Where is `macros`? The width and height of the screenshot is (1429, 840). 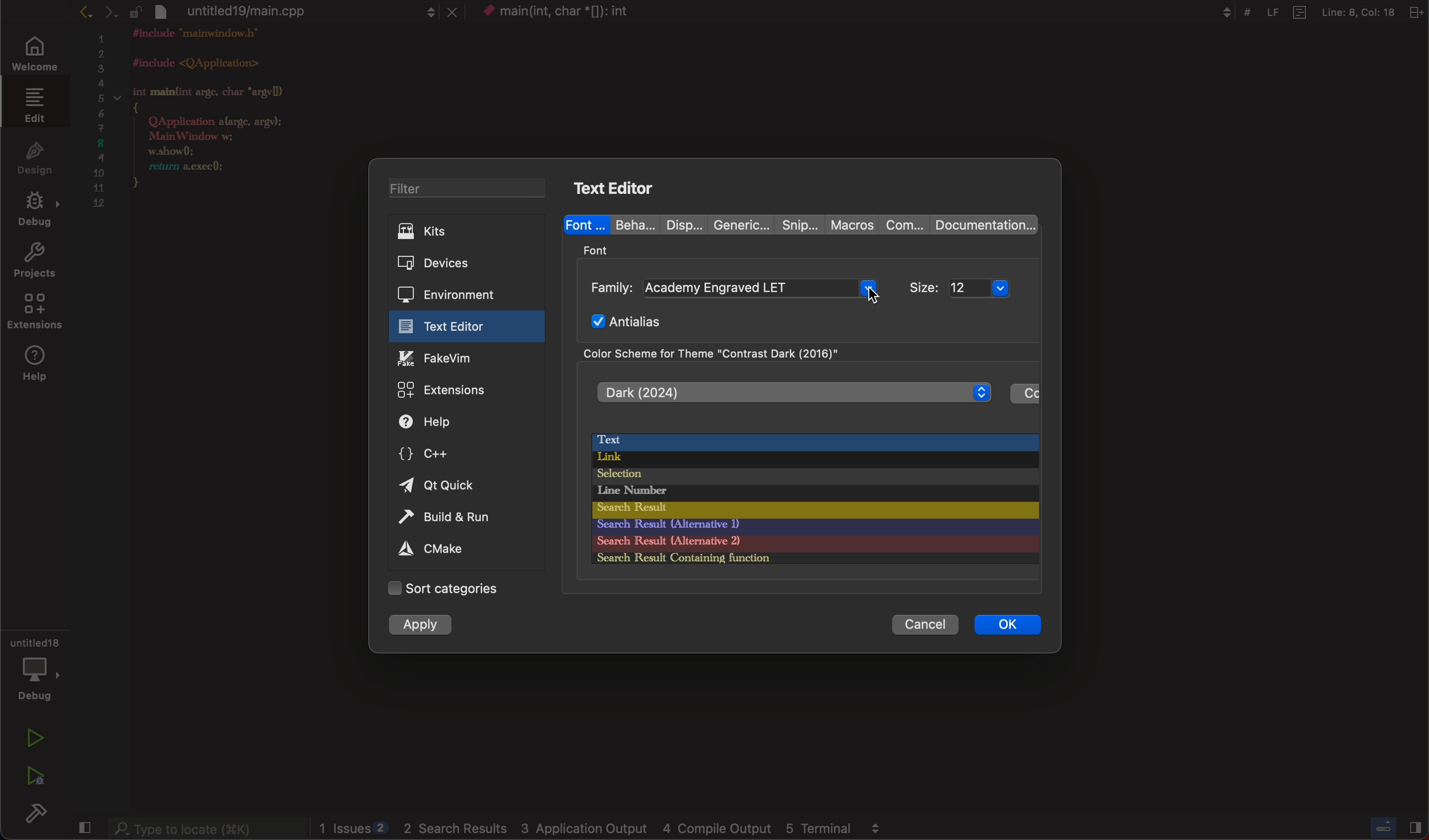
macros is located at coordinates (851, 224).